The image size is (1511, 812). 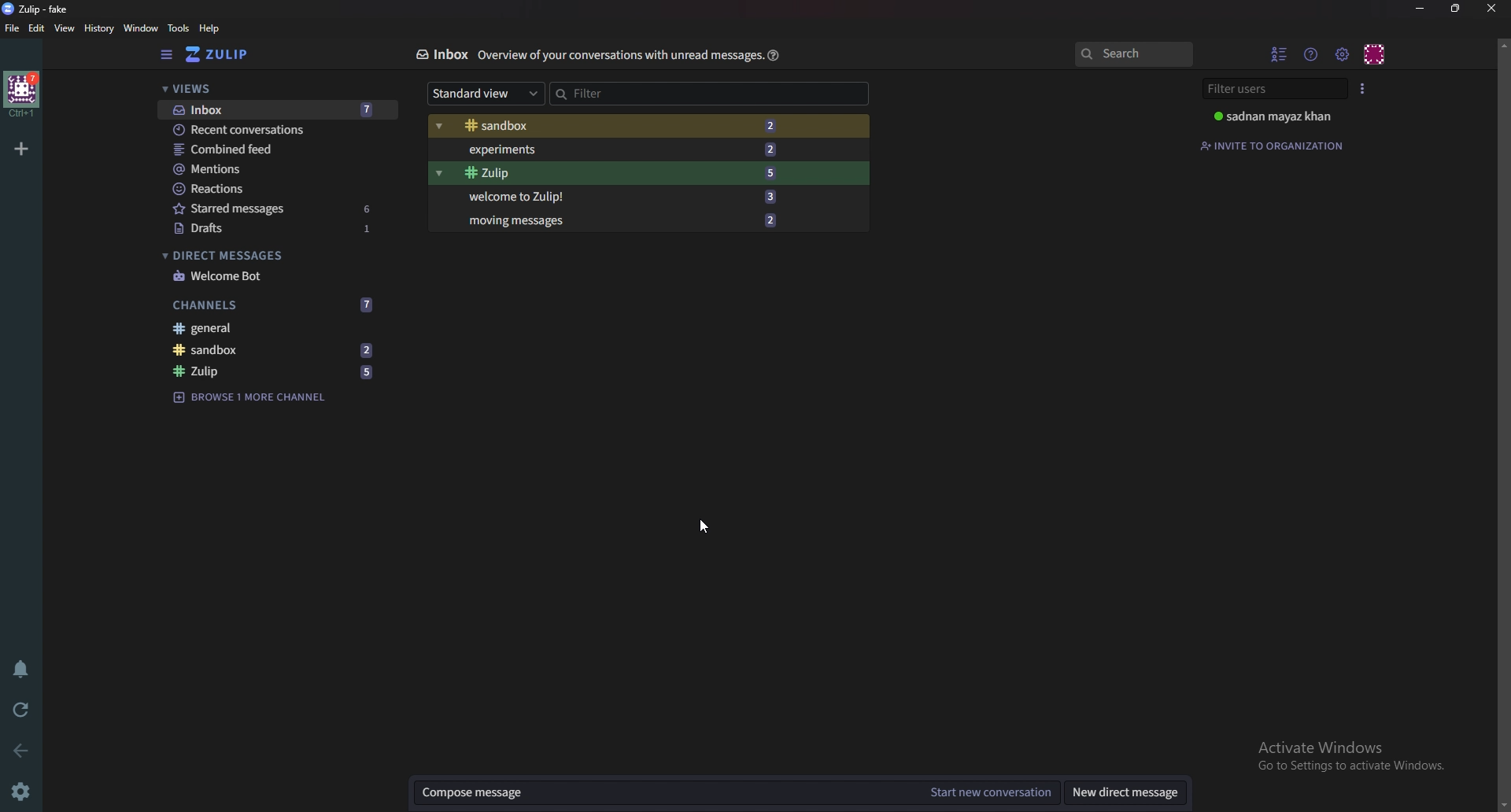 I want to click on Help menu, so click(x=1313, y=54).